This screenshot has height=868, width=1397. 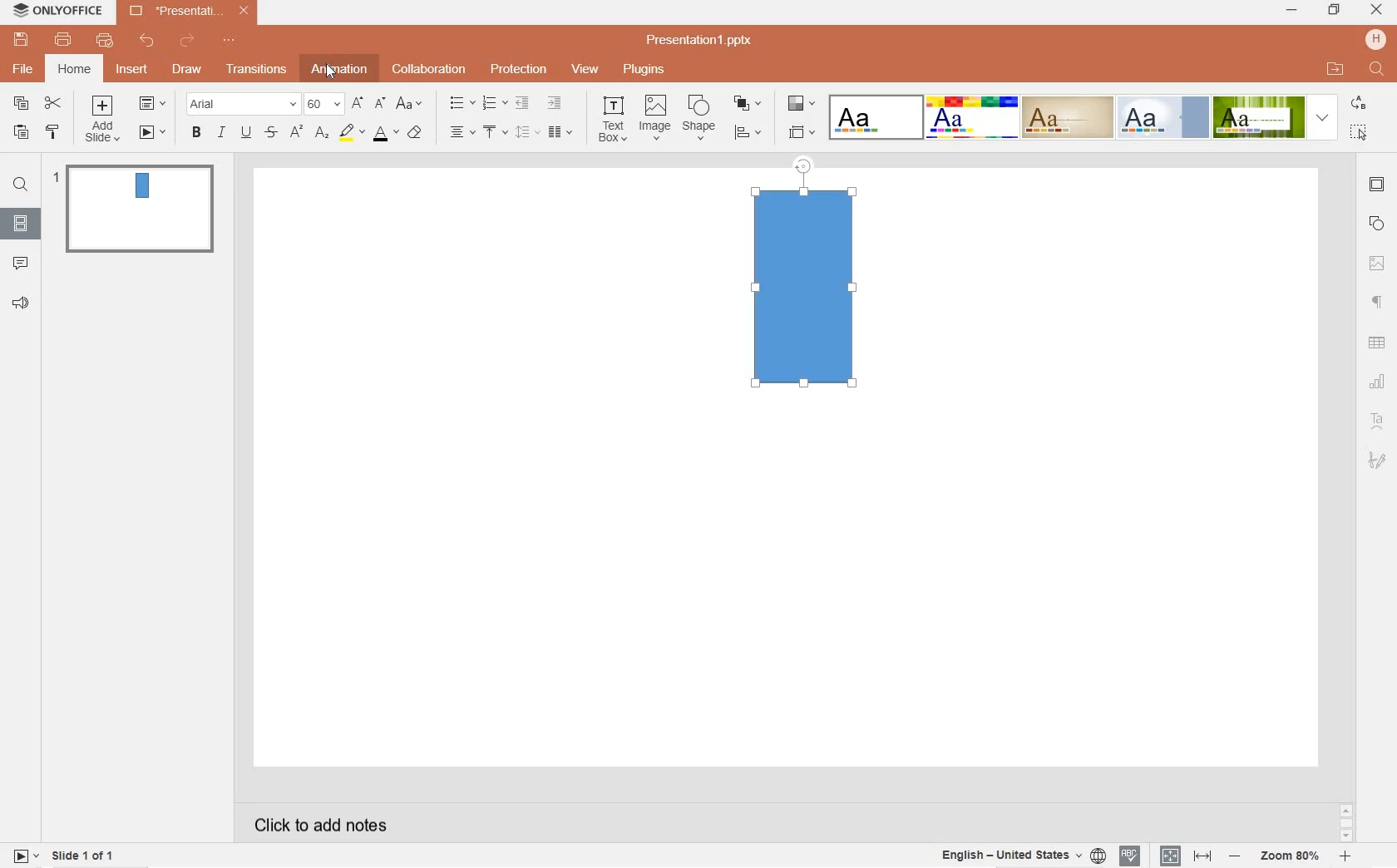 What do you see at coordinates (1360, 132) in the screenshot?
I see `select all` at bounding box center [1360, 132].